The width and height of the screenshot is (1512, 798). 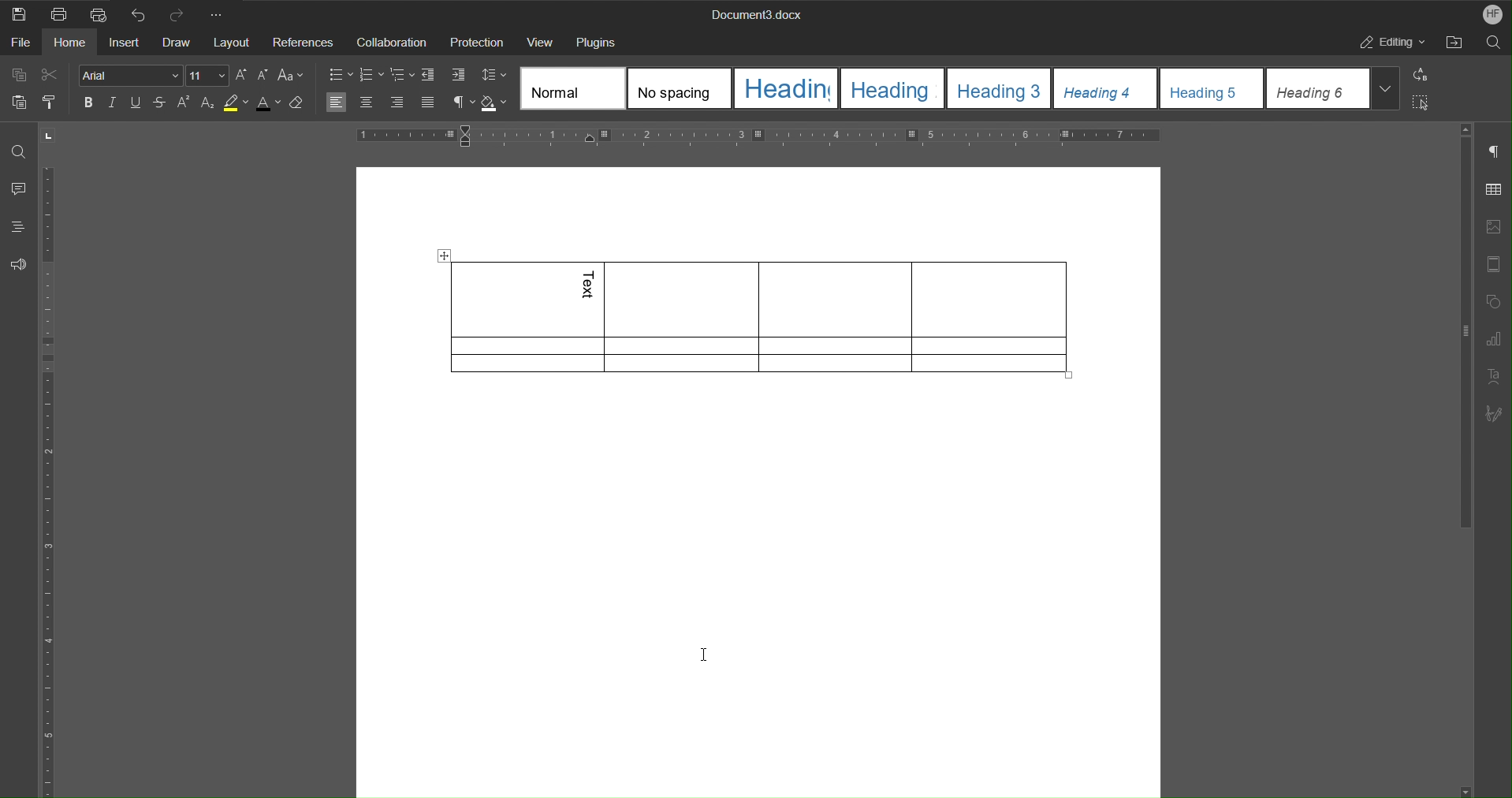 What do you see at coordinates (1424, 102) in the screenshot?
I see `Select All` at bounding box center [1424, 102].